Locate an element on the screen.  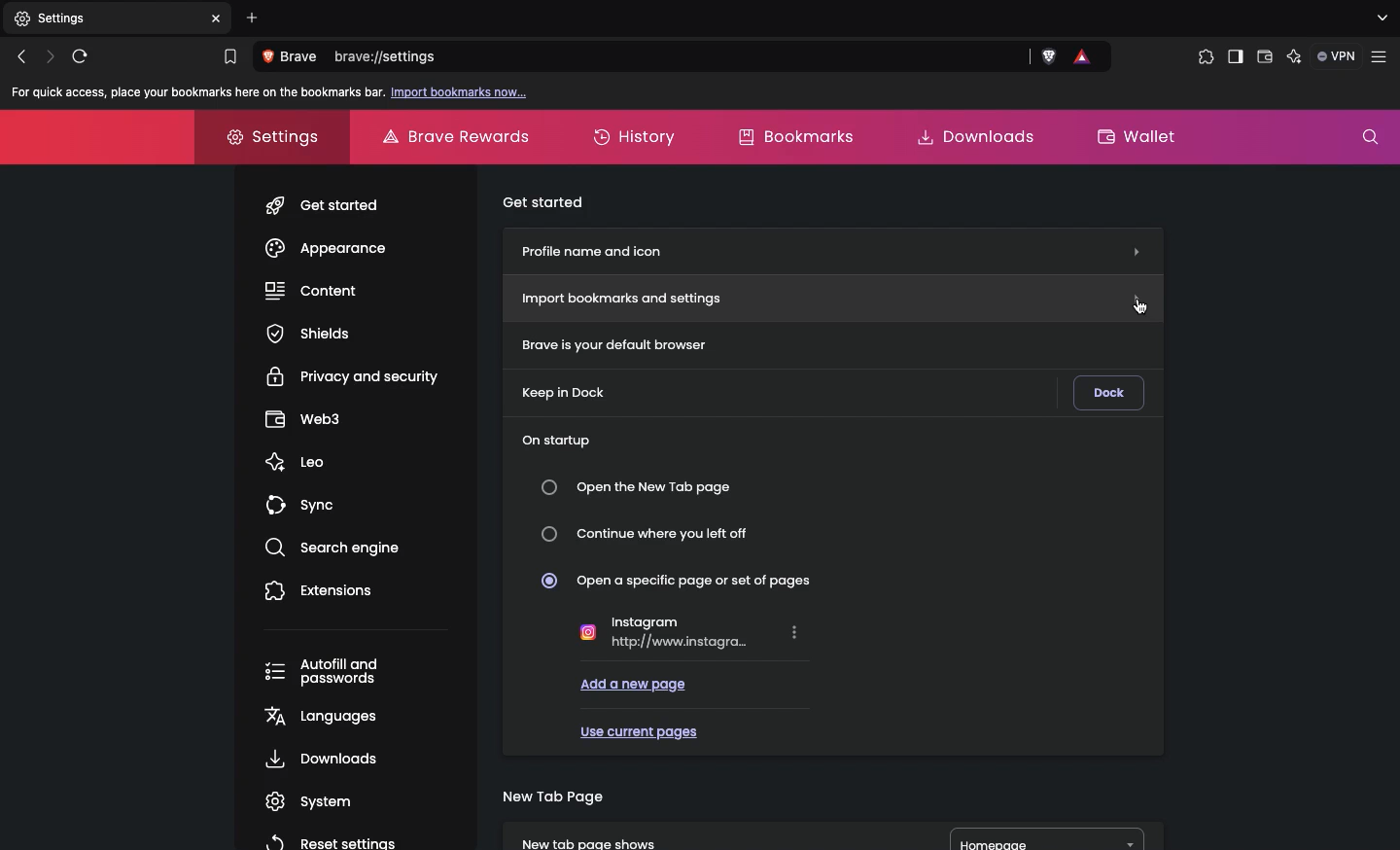
Instagram is located at coordinates (690, 631).